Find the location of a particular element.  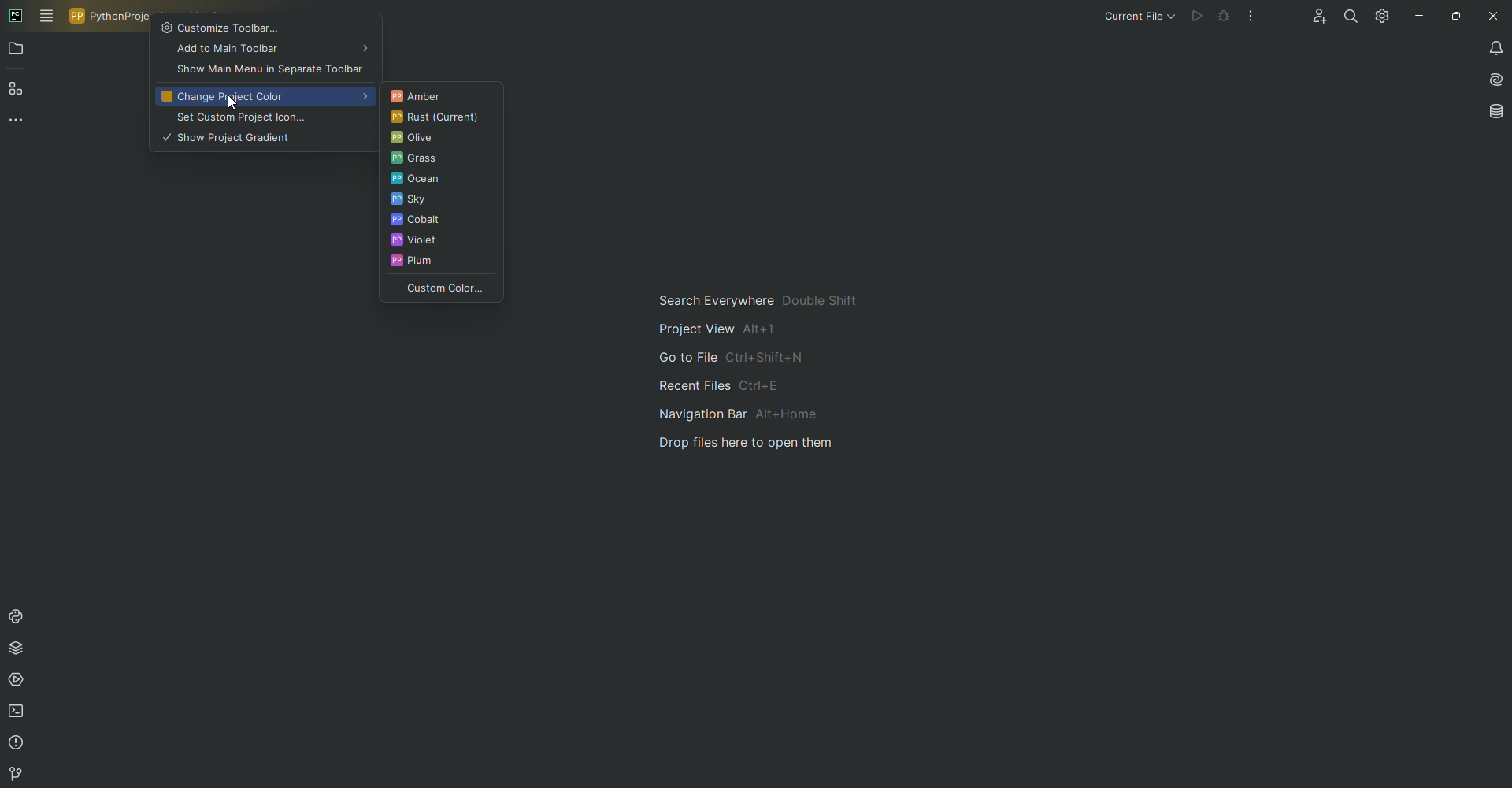

Database is located at coordinates (1497, 111).